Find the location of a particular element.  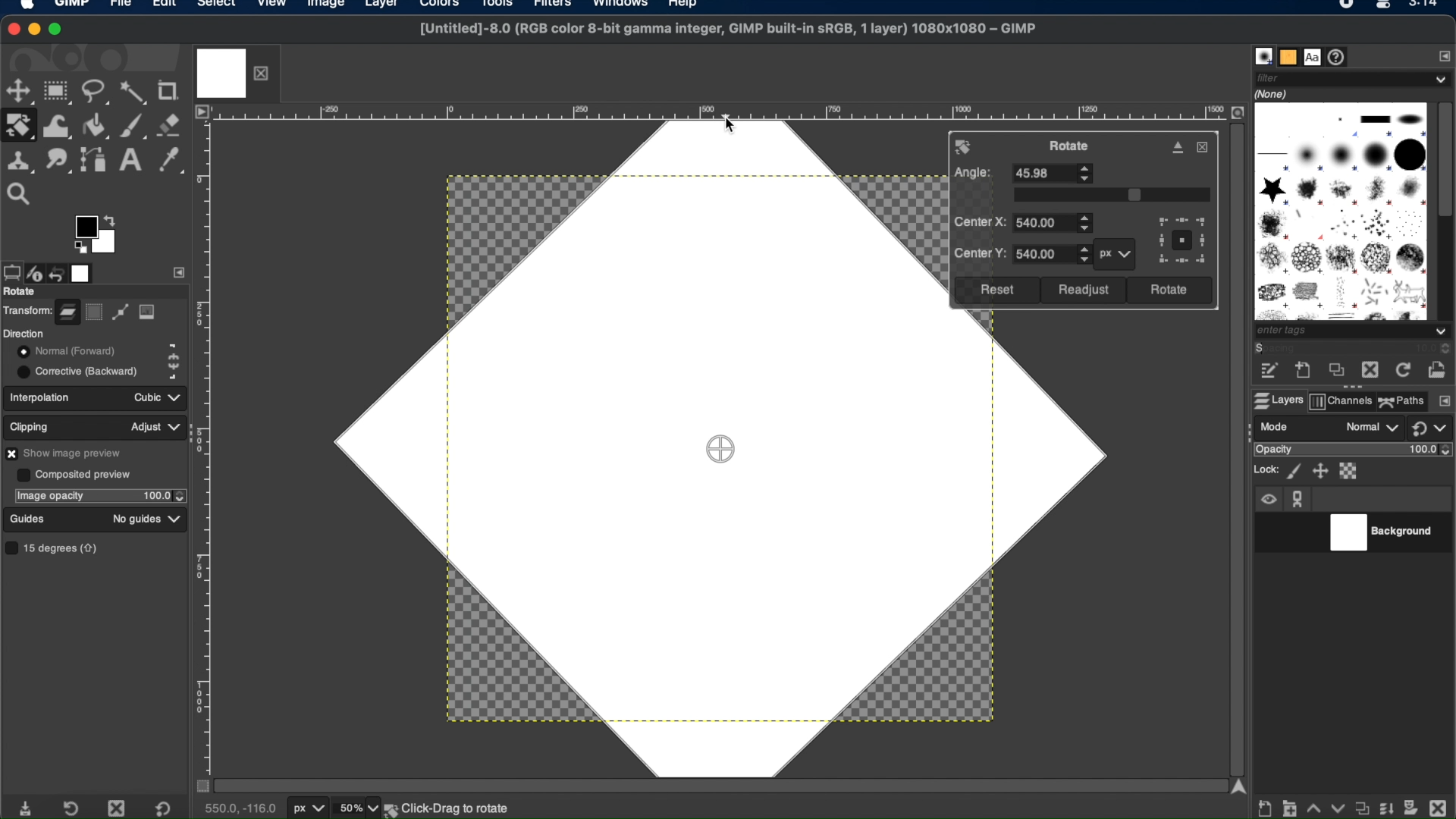

rotate is located at coordinates (1169, 290).